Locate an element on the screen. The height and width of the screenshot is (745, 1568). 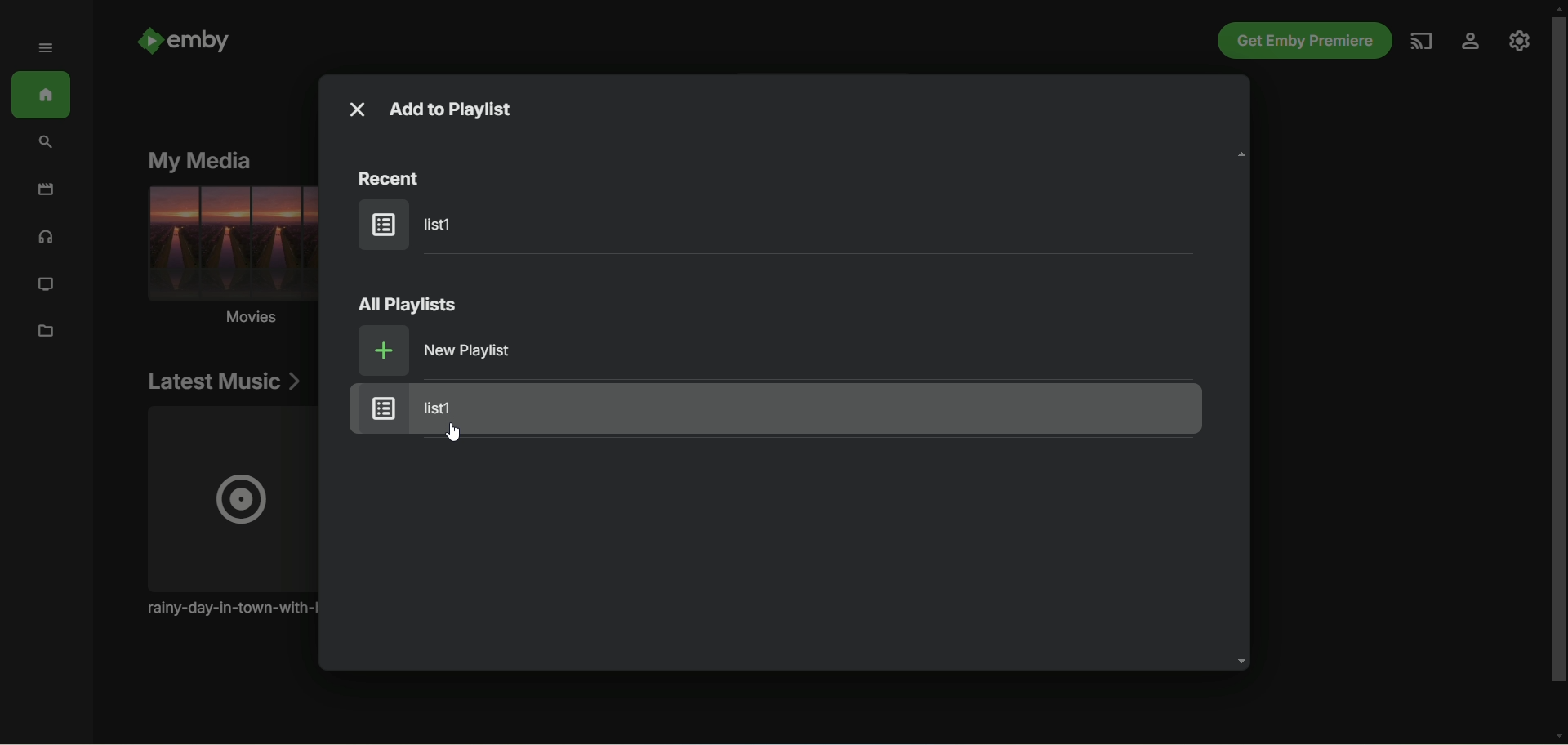
emby is located at coordinates (199, 41).